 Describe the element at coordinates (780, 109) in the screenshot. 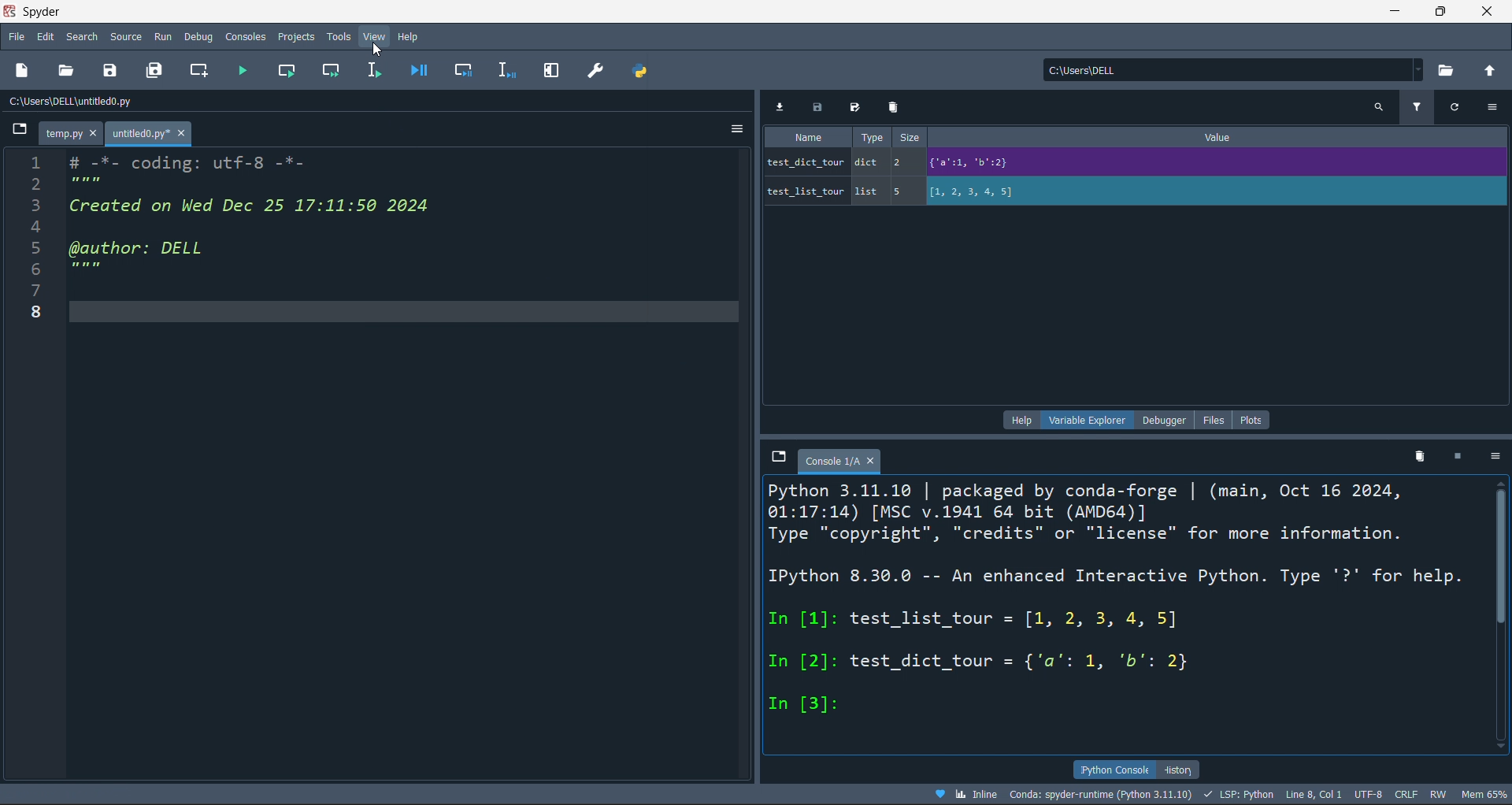

I see `export` at that location.